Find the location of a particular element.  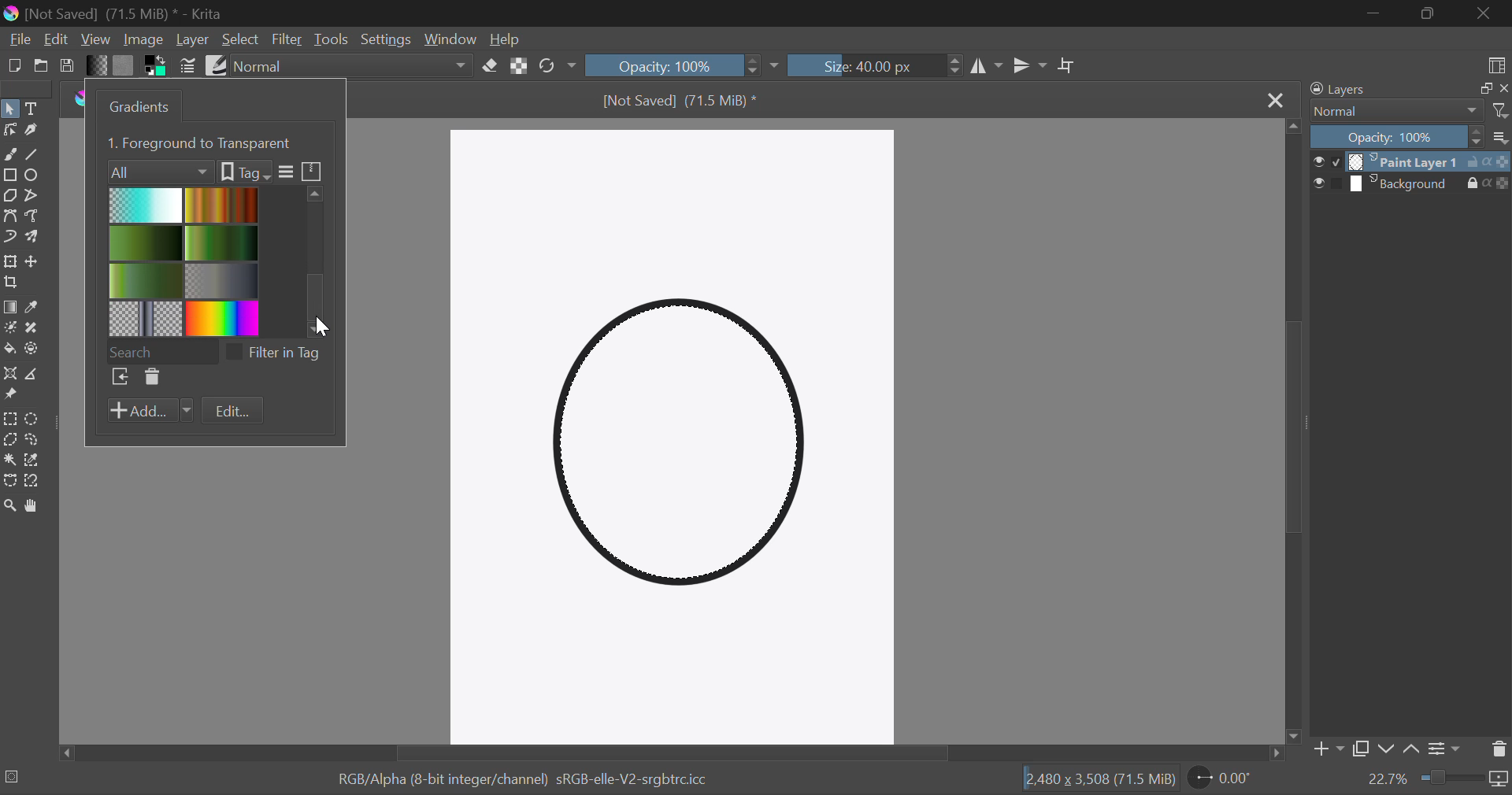

Filters is located at coordinates (156, 172).